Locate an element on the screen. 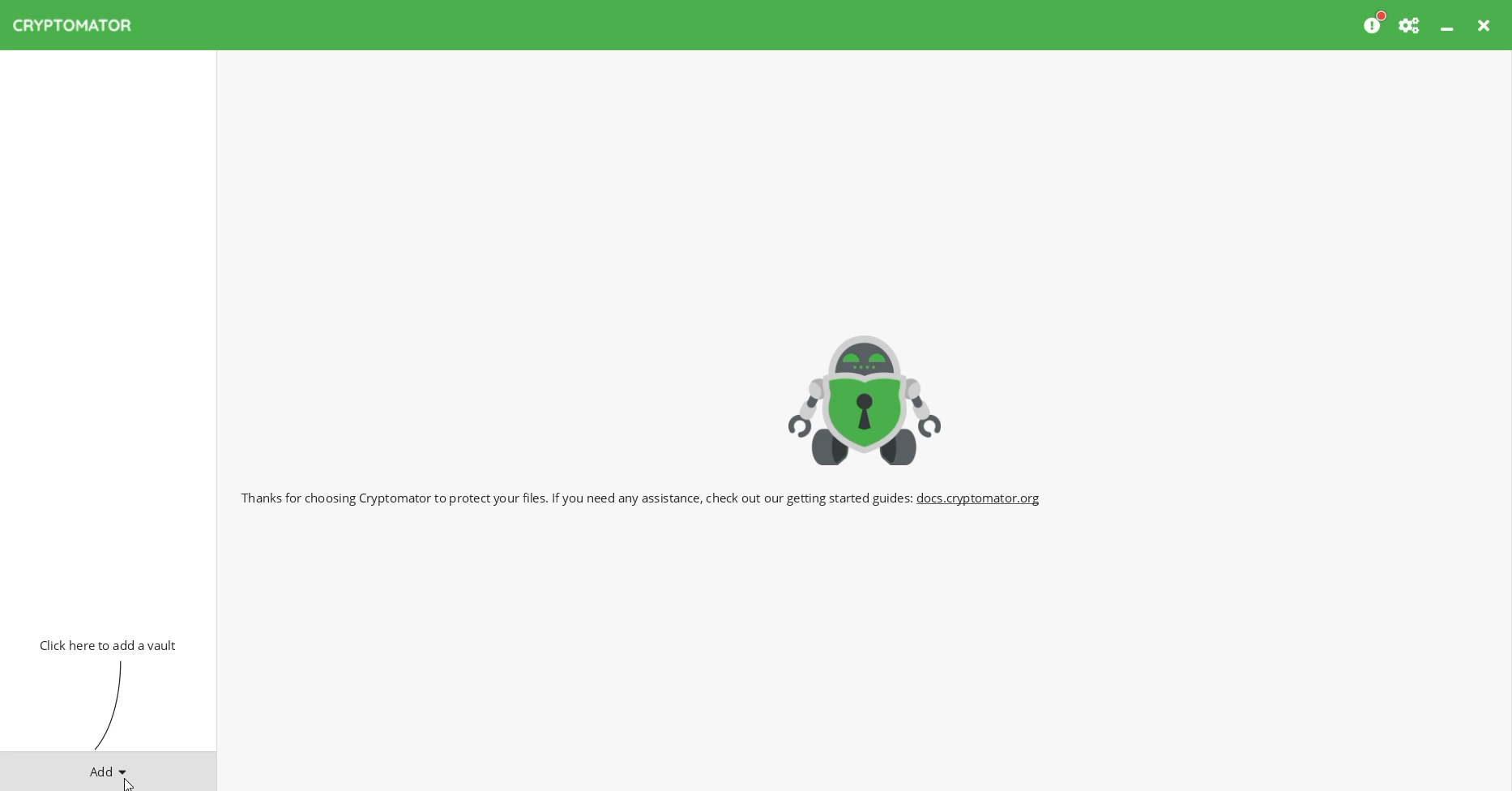  Cryptomator is located at coordinates (865, 397).